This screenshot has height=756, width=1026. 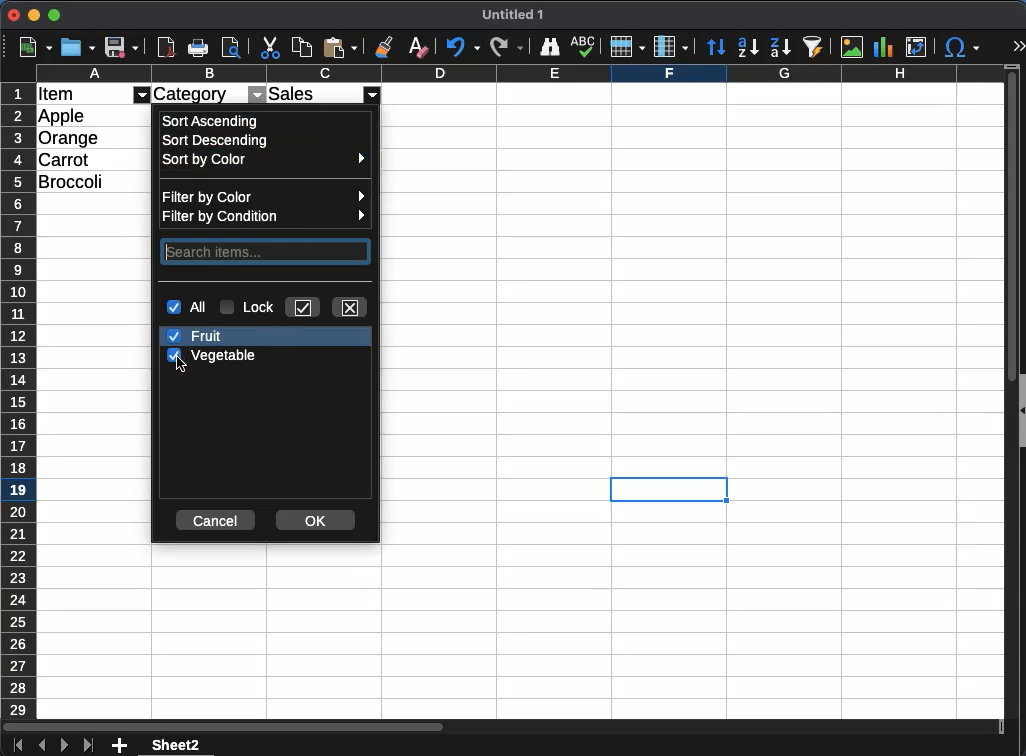 I want to click on last sheet, so click(x=88, y=746).